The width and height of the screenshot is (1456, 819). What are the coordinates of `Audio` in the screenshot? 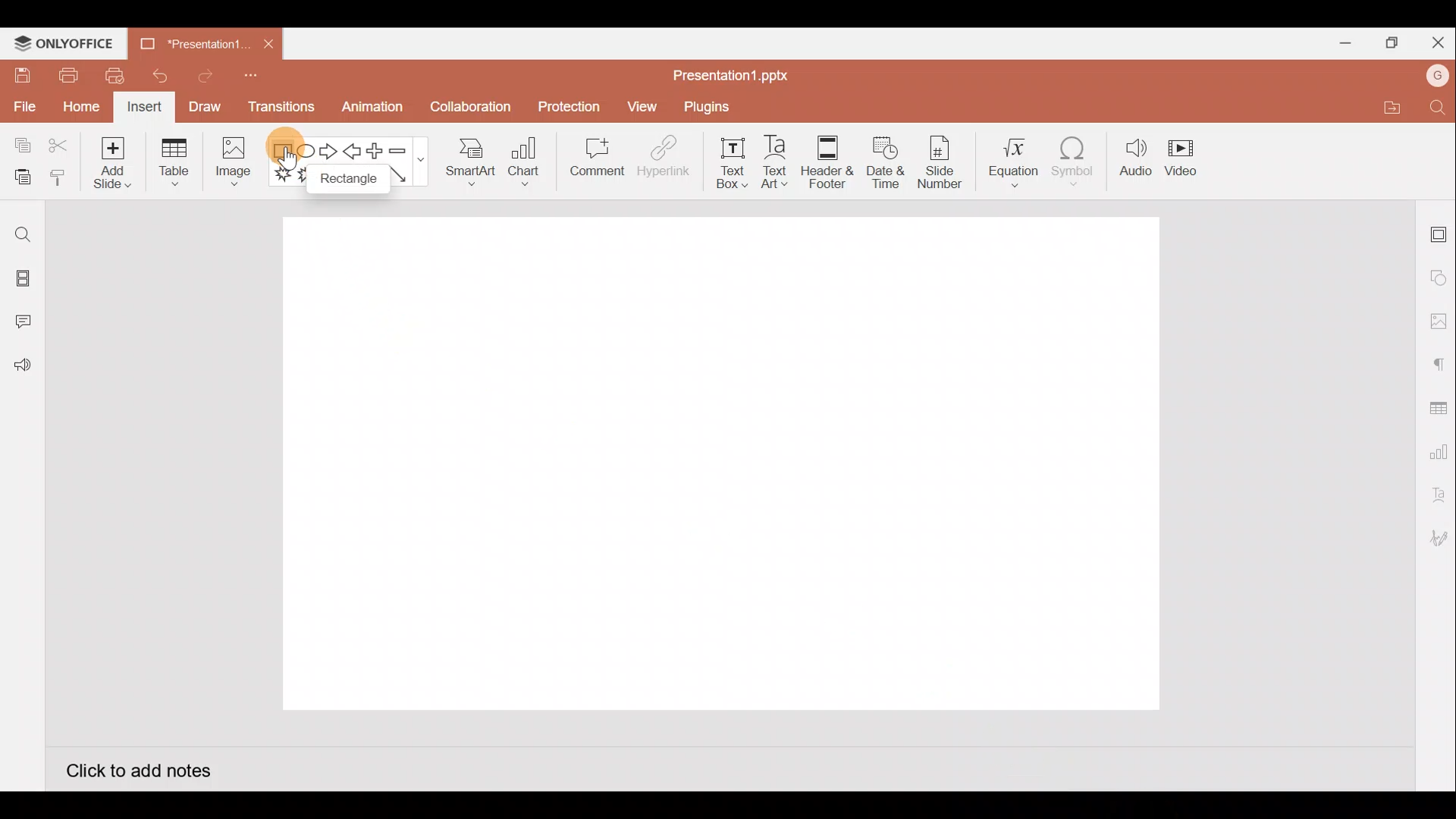 It's located at (1136, 158).